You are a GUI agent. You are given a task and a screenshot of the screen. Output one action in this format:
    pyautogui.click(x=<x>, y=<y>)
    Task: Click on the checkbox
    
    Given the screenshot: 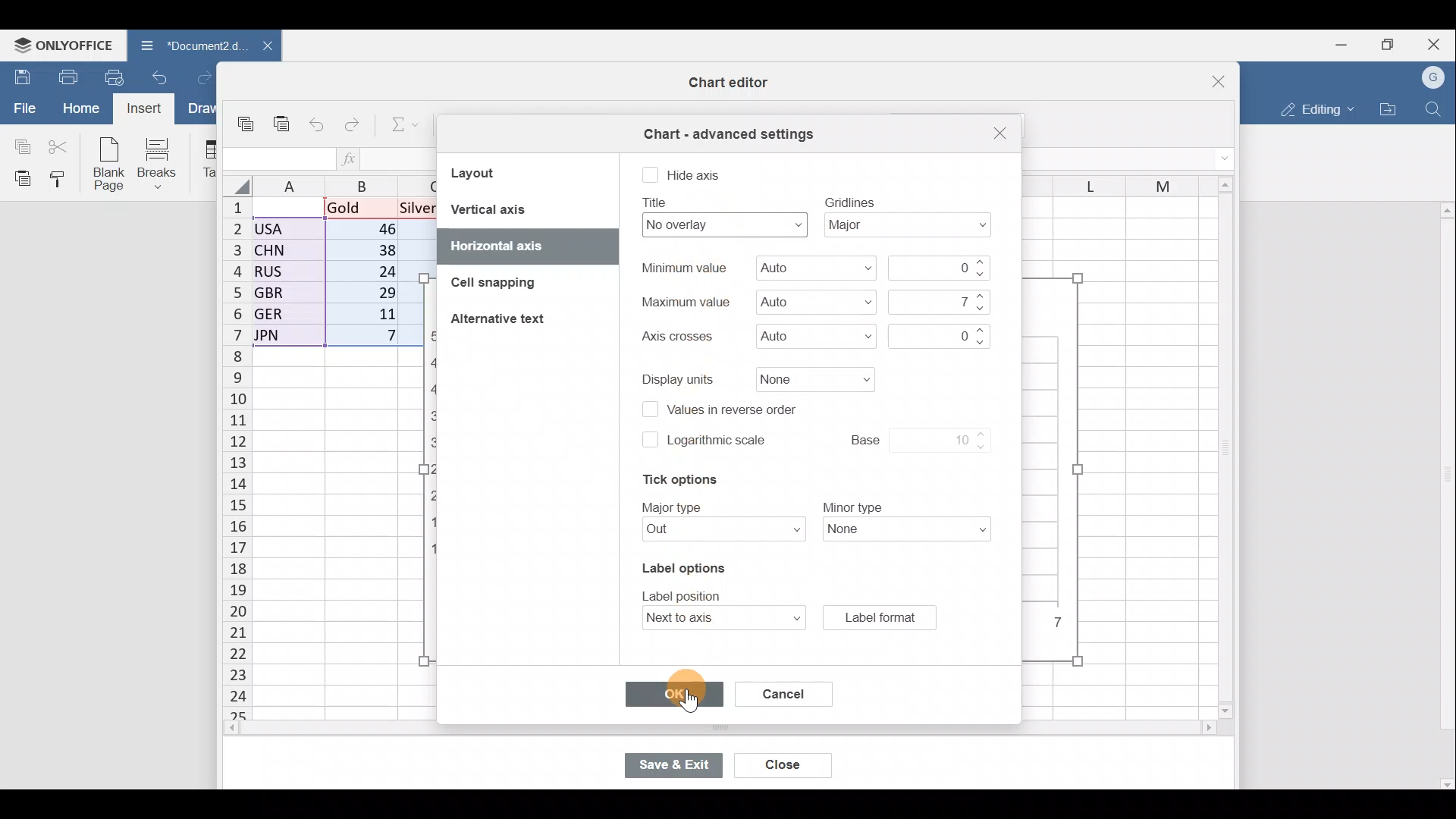 What is the action you would take?
    pyautogui.click(x=646, y=409)
    